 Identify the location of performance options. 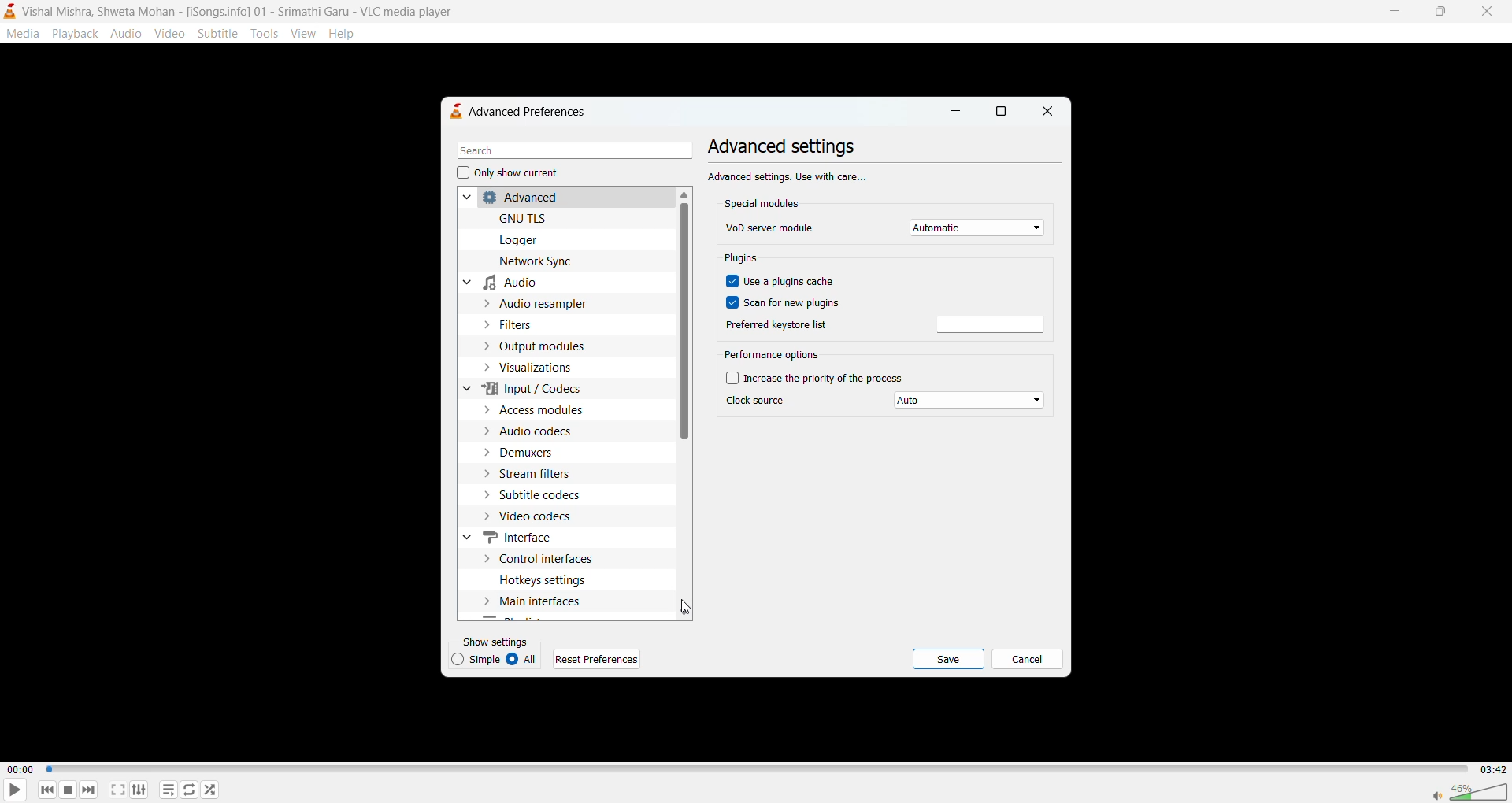
(774, 356).